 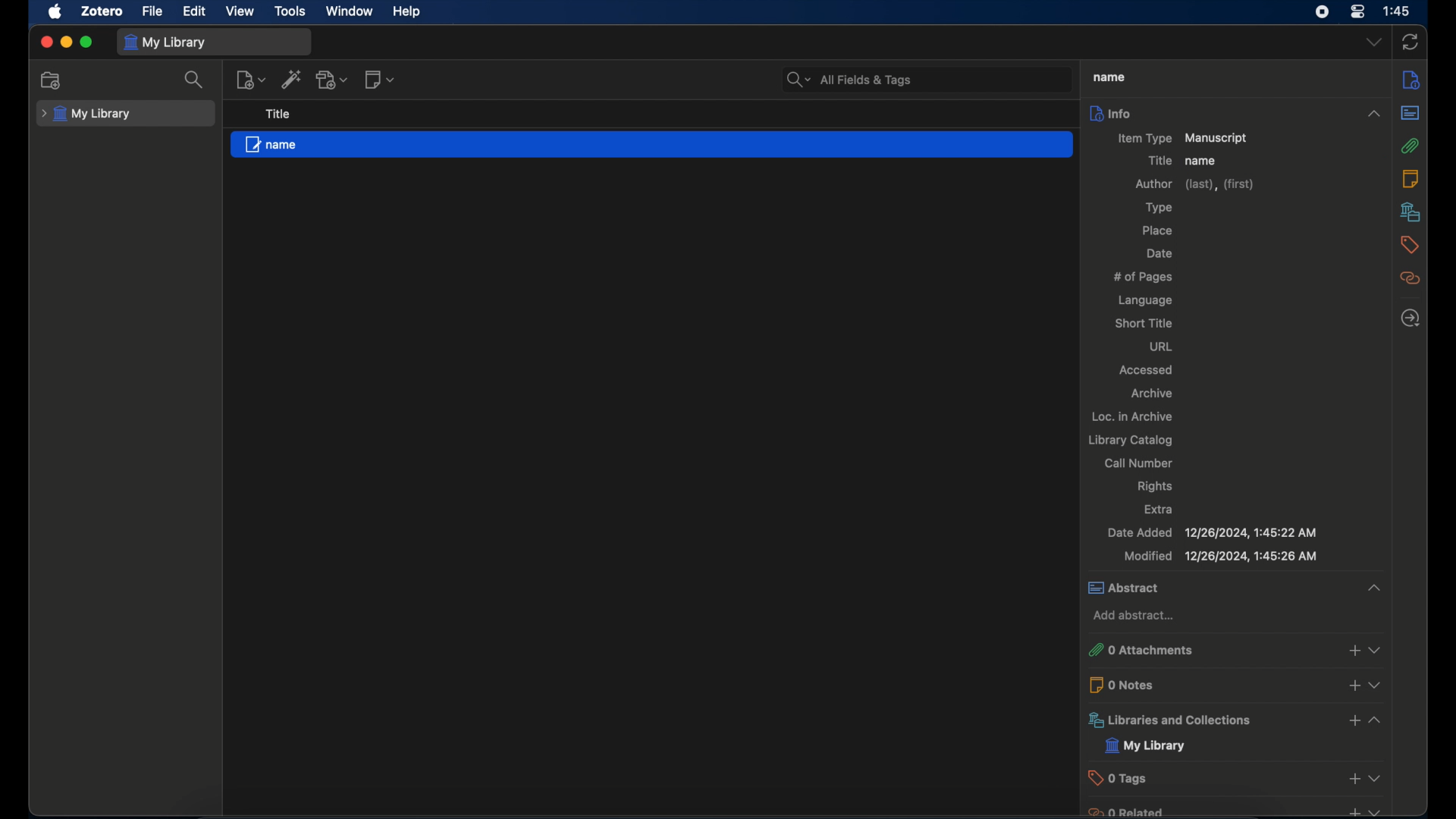 What do you see at coordinates (1136, 616) in the screenshot?
I see `add abstract` at bounding box center [1136, 616].